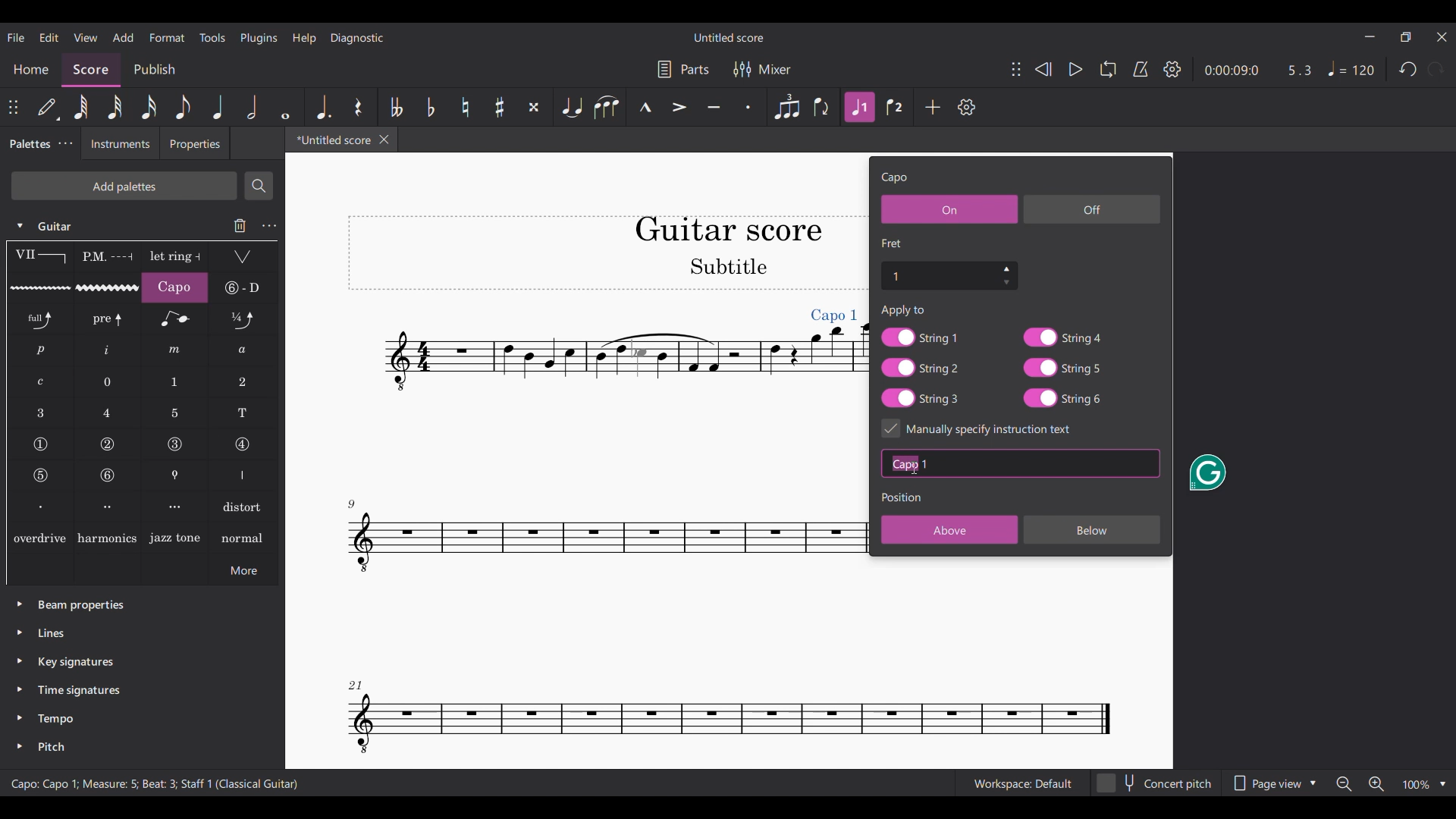  I want to click on Settings, so click(1172, 69).